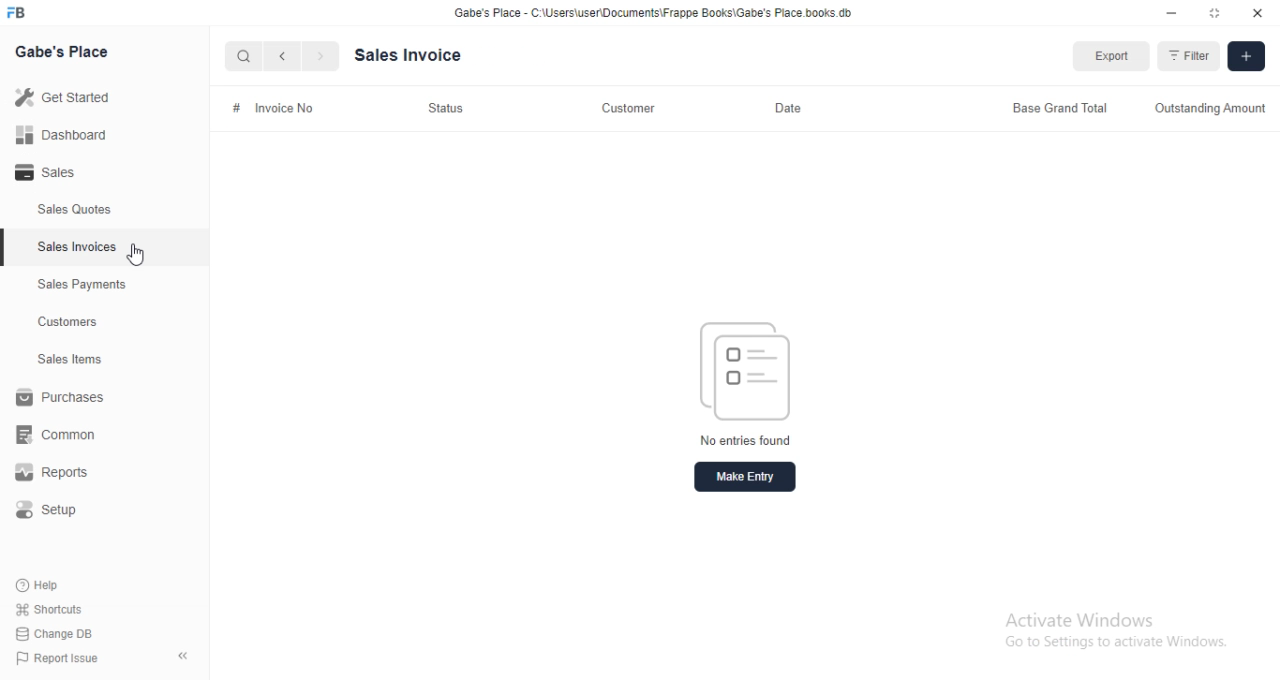 This screenshot has width=1280, height=680. What do you see at coordinates (319, 54) in the screenshot?
I see `Next` at bounding box center [319, 54].